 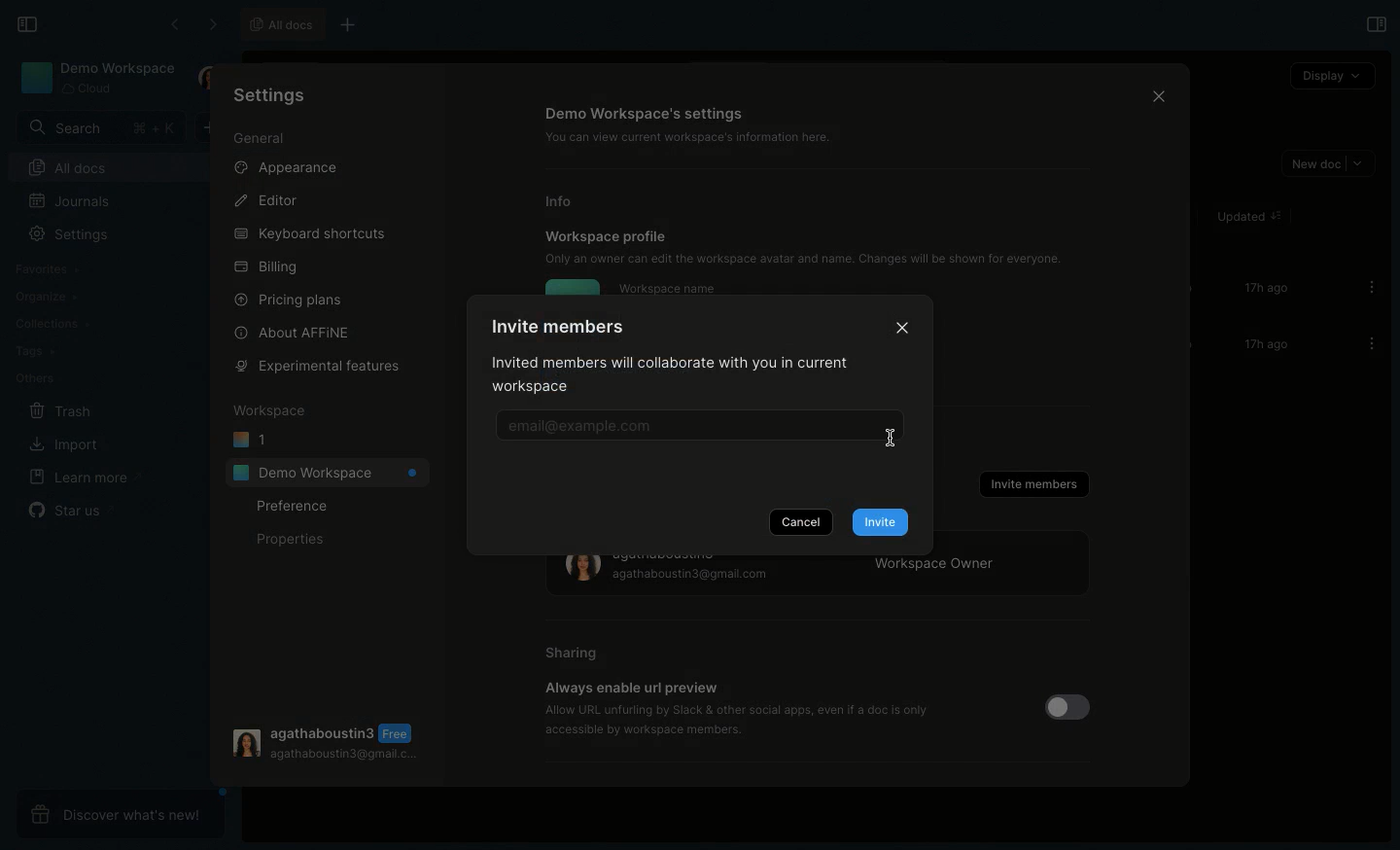 What do you see at coordinates (278, 98) in the screenshot?
I see `Settings` at bounding box center [278, 98].